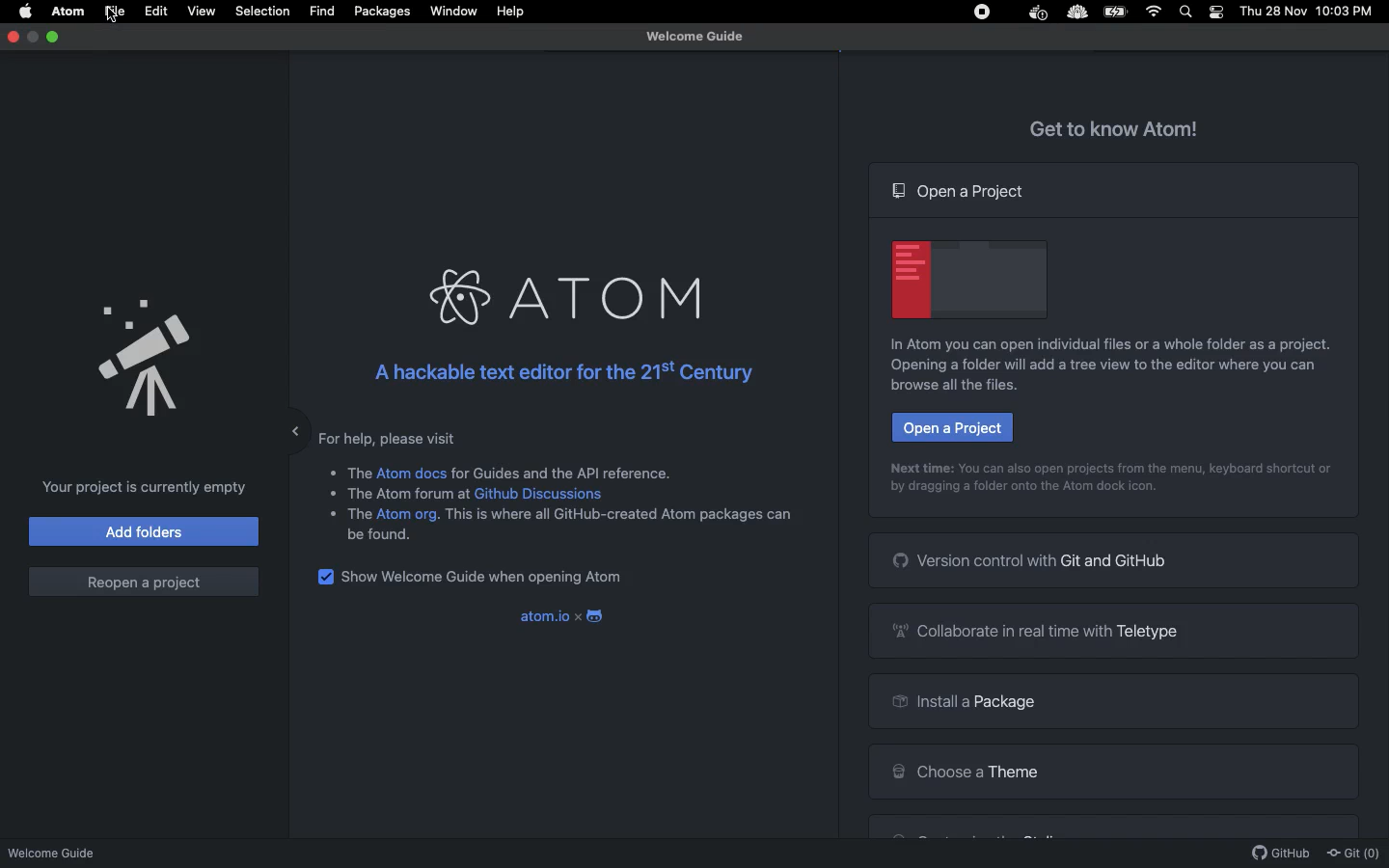 The width and height of the screenshot is (1389, 868). Describe the element at coordinates (598, 617) in the screenshot. I see `Logo` at that location.